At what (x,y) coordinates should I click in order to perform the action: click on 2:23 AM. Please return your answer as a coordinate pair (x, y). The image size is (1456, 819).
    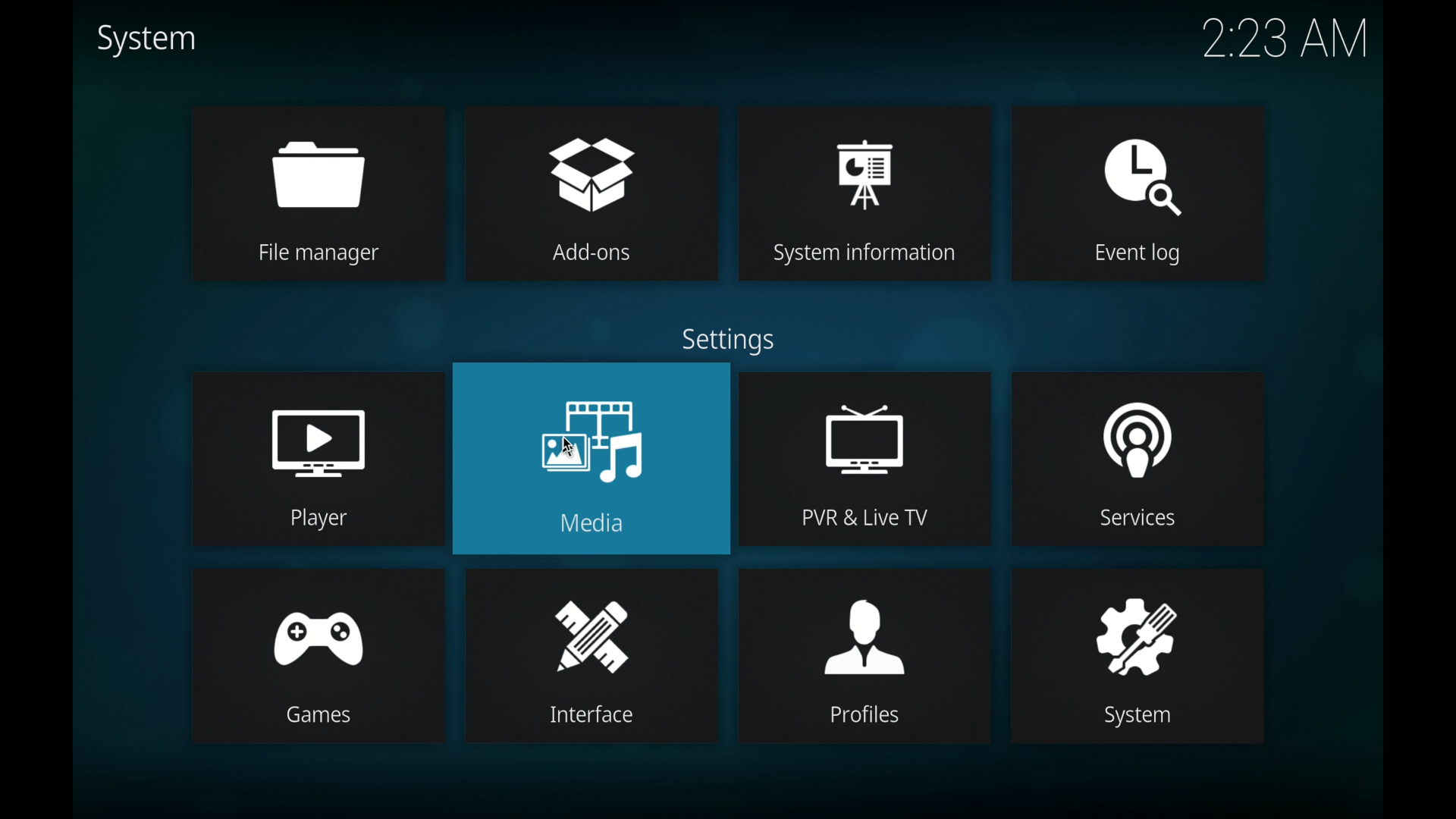
    Looking at the image, I should click on (1279, 45).